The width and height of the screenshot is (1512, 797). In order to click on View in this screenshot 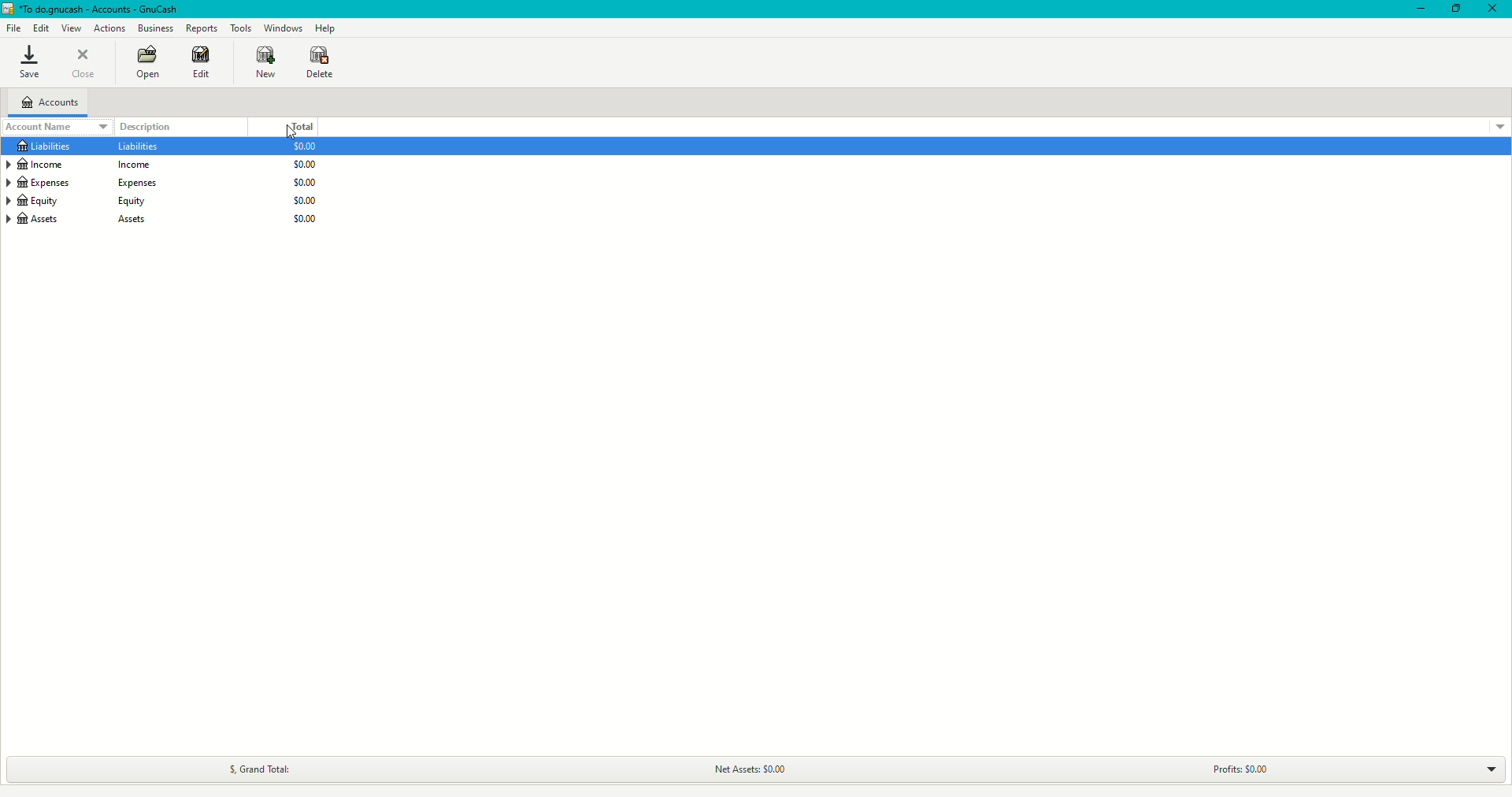, I will do `click(71, 28)`.